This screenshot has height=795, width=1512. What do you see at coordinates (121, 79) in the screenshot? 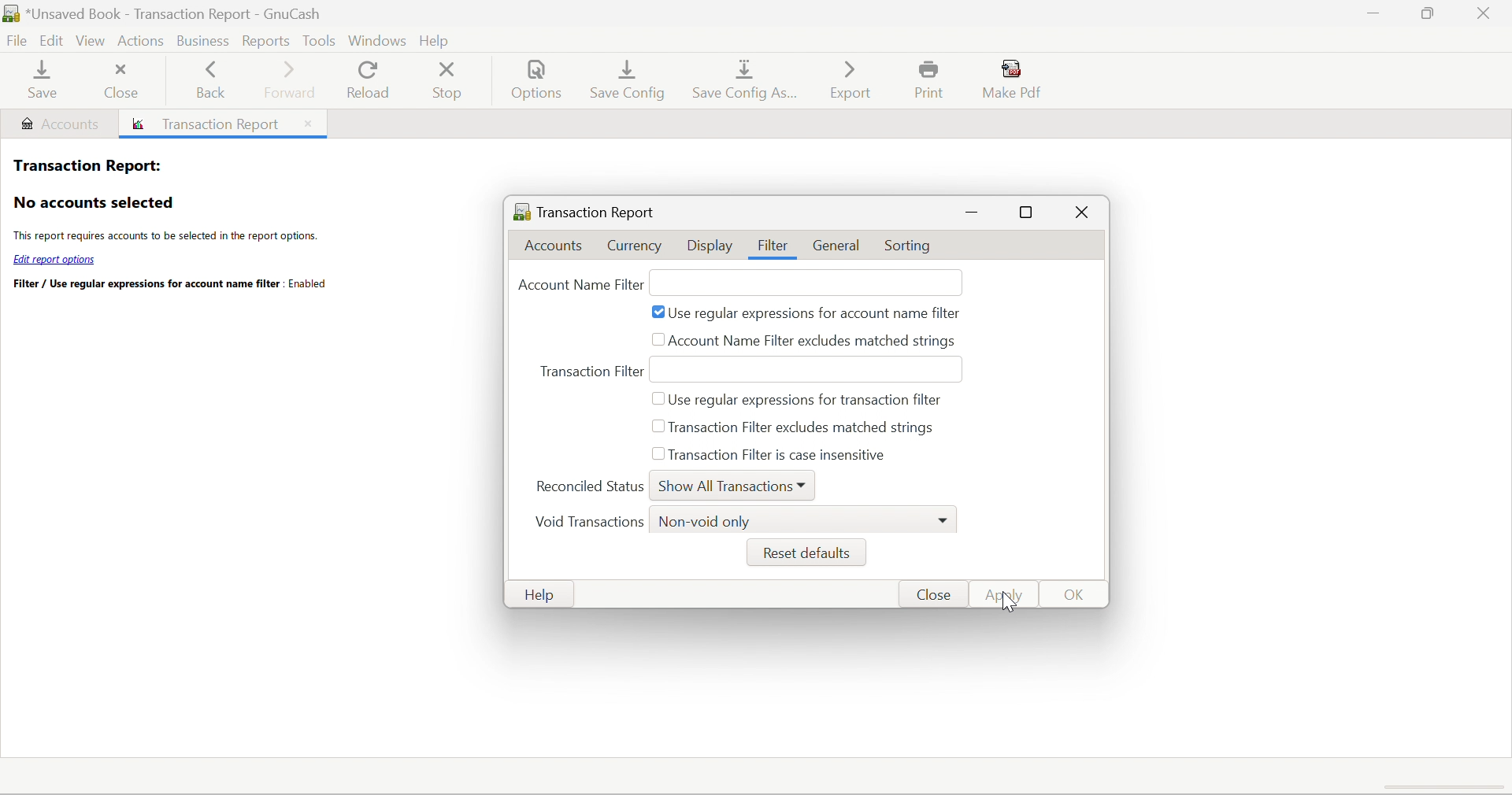
I see `Close` at bounding box center [121, 79].